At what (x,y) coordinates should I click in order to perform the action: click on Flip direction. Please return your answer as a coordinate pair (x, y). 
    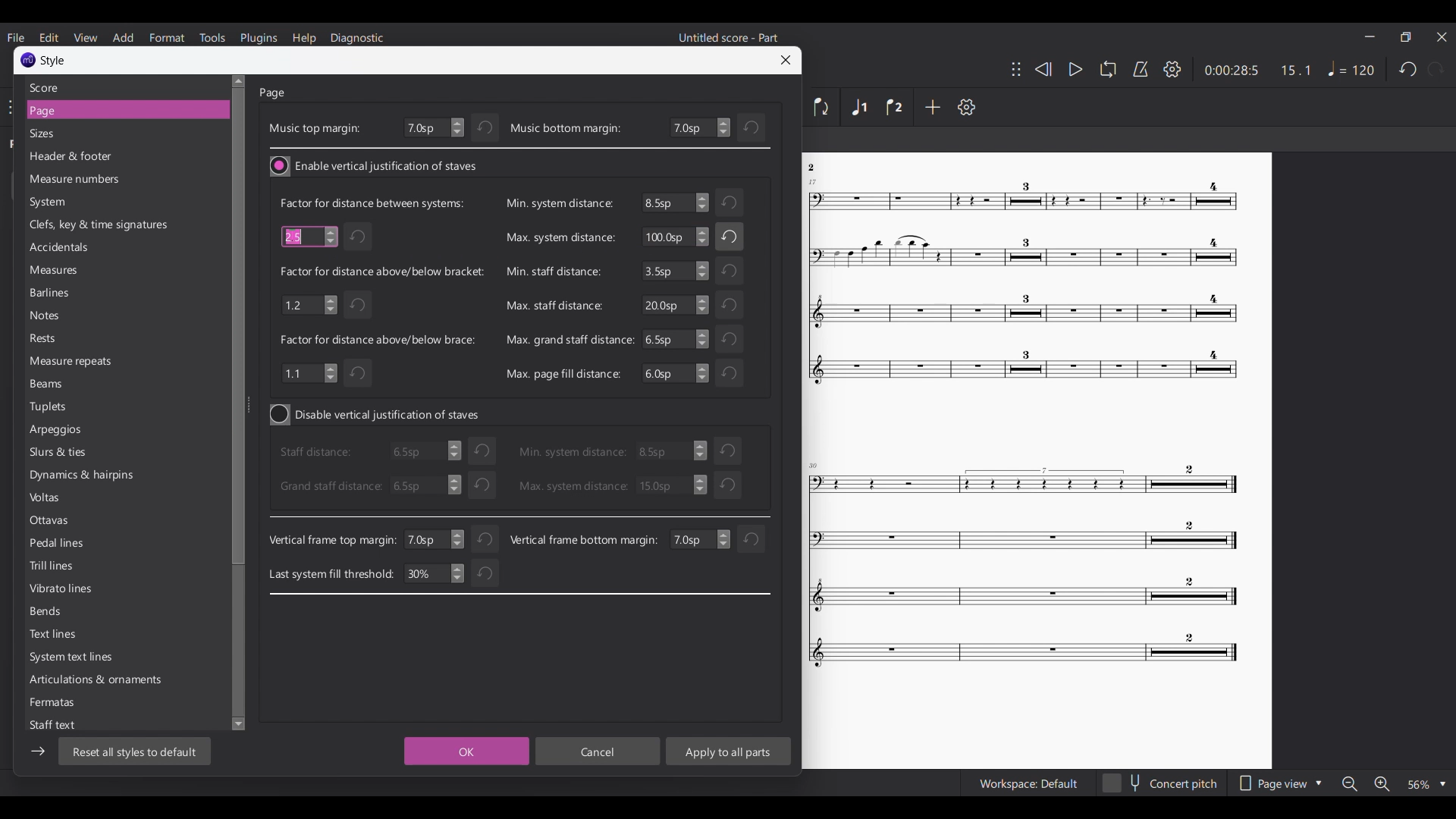
    Looking at the image, I should click on (822, 107).